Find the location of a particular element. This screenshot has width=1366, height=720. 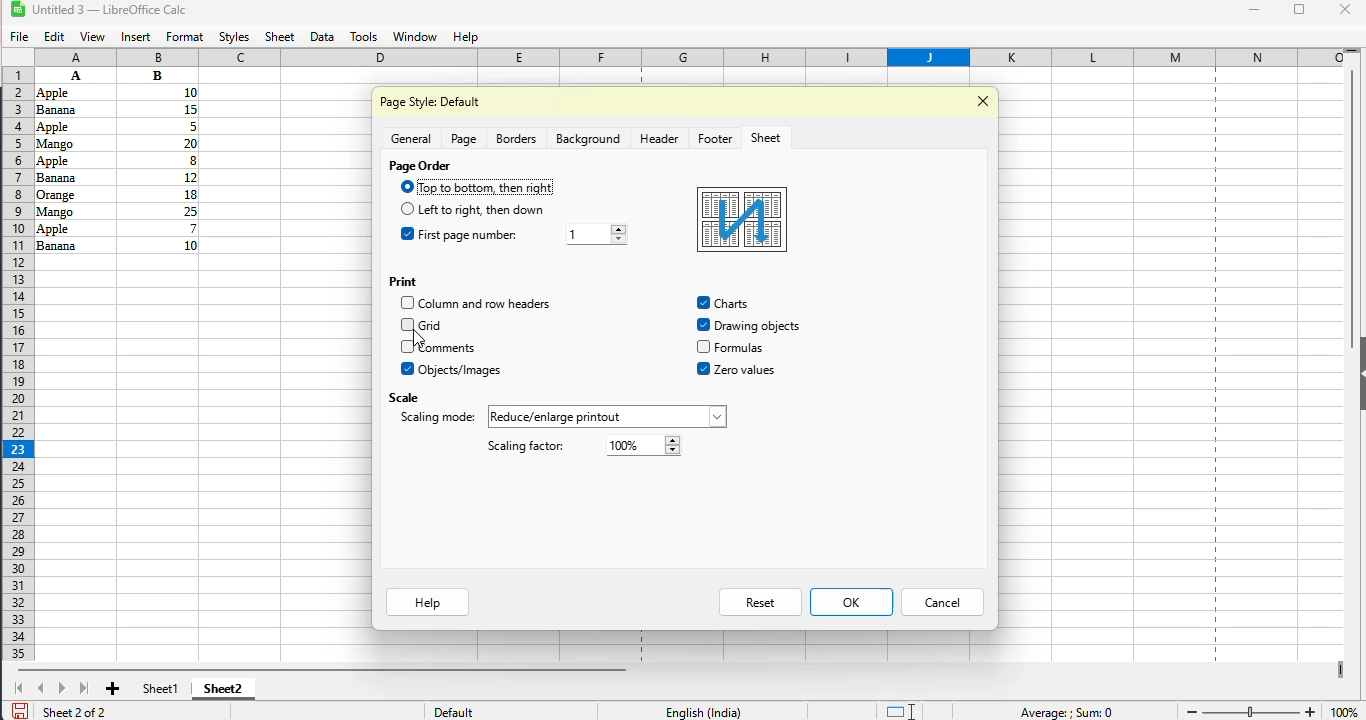

general is located at coordinates (411, 138).